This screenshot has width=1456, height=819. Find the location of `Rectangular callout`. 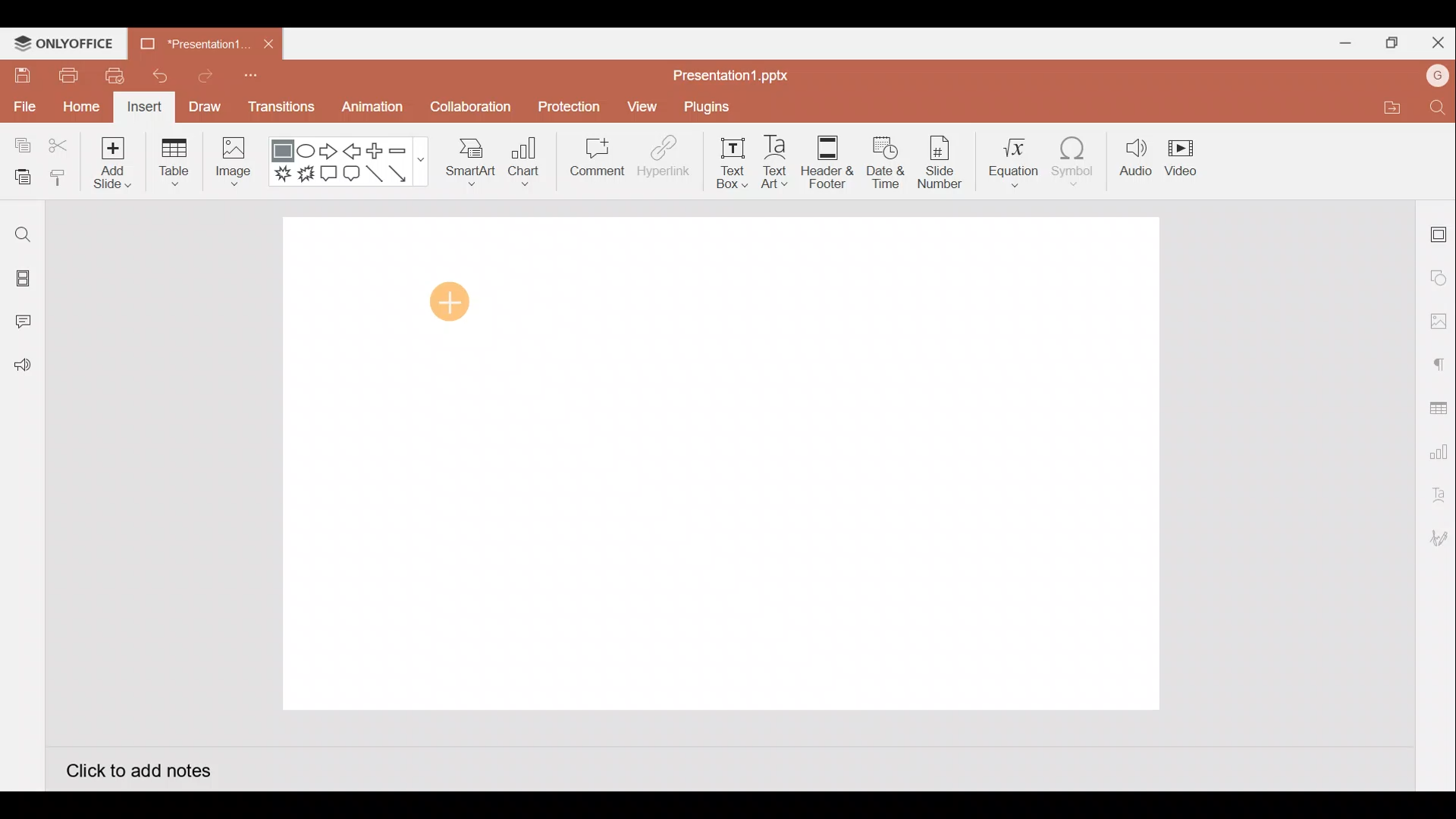

Rectangular callout is located at coordinates (329, 174).